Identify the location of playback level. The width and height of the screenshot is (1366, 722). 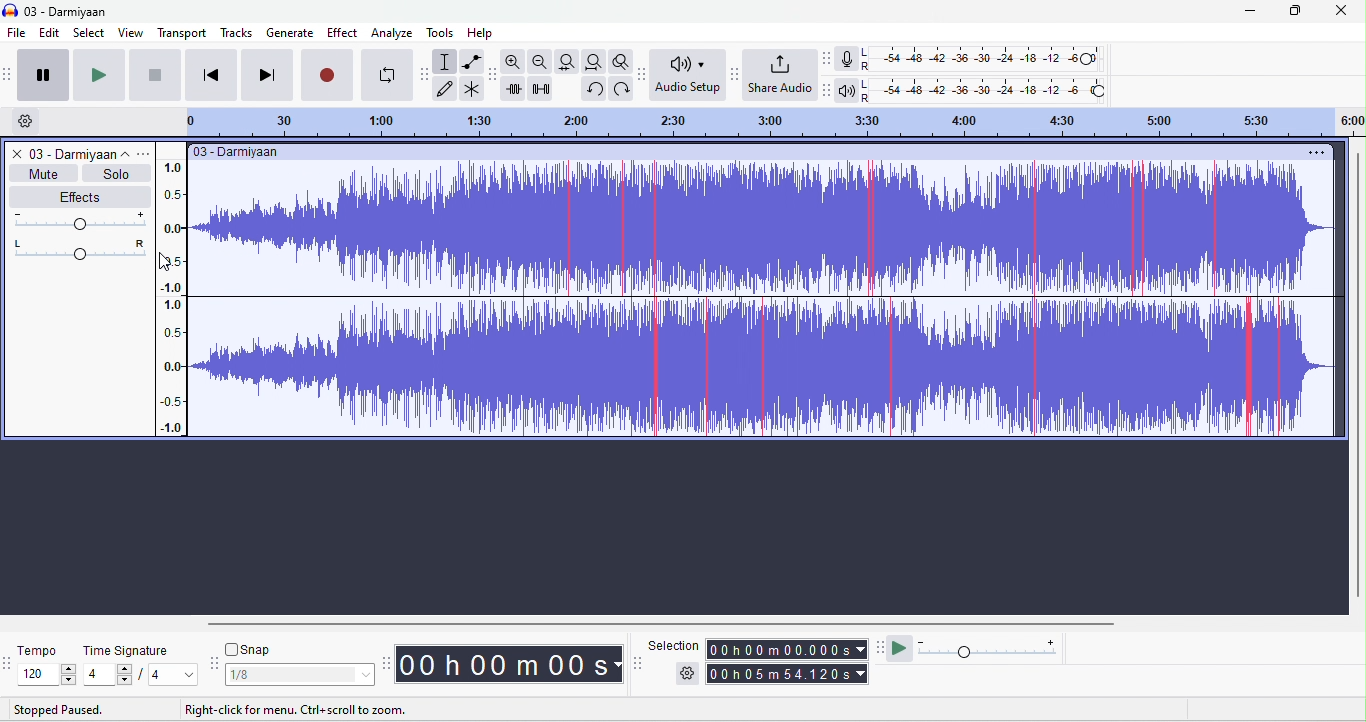
(1001, 92).